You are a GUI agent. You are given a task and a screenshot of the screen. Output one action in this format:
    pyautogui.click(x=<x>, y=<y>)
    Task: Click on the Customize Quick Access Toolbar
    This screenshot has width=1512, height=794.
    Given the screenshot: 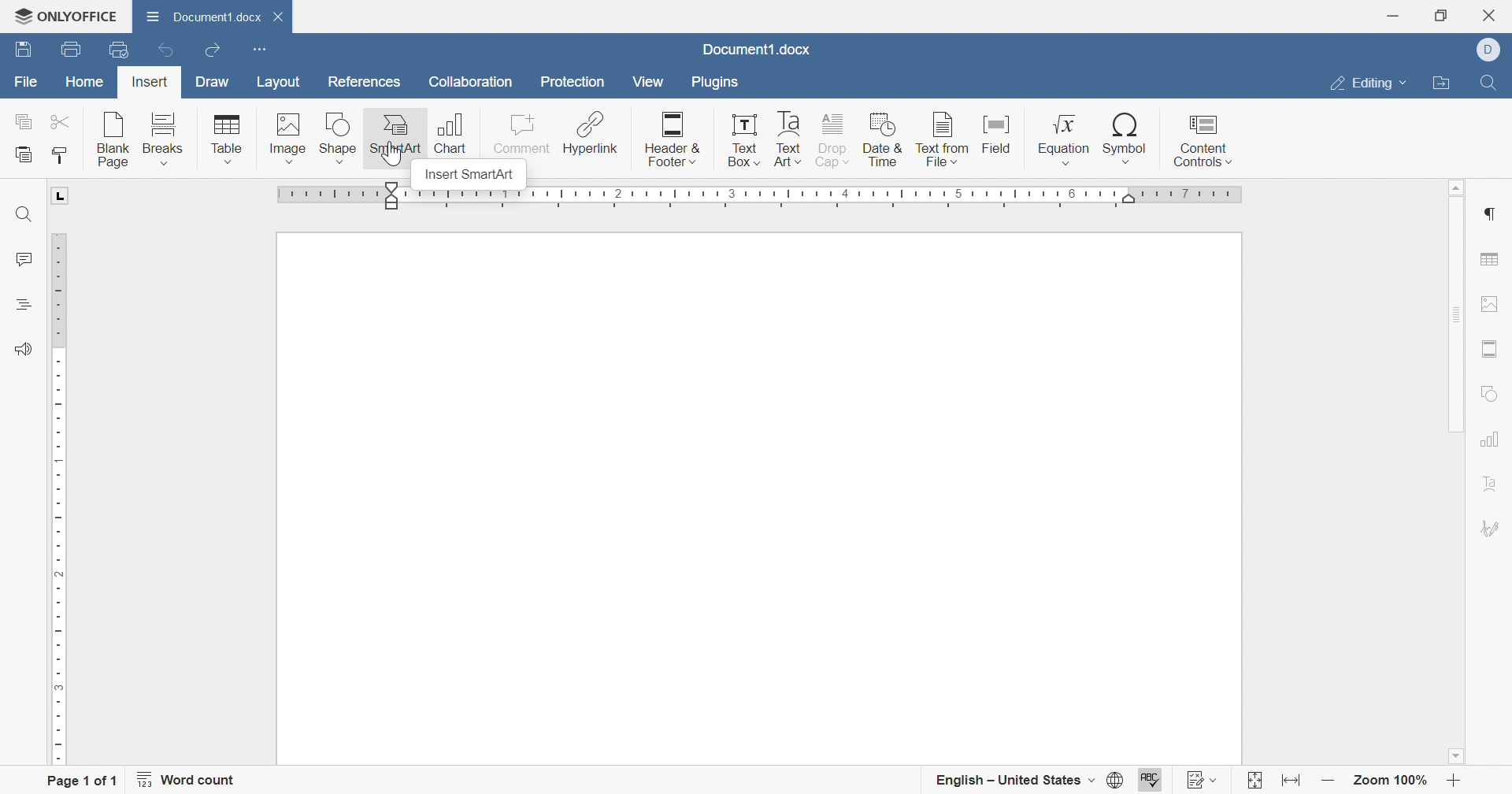 What is the action you would take?
    pyautogui.click(x=256, y=50)
    